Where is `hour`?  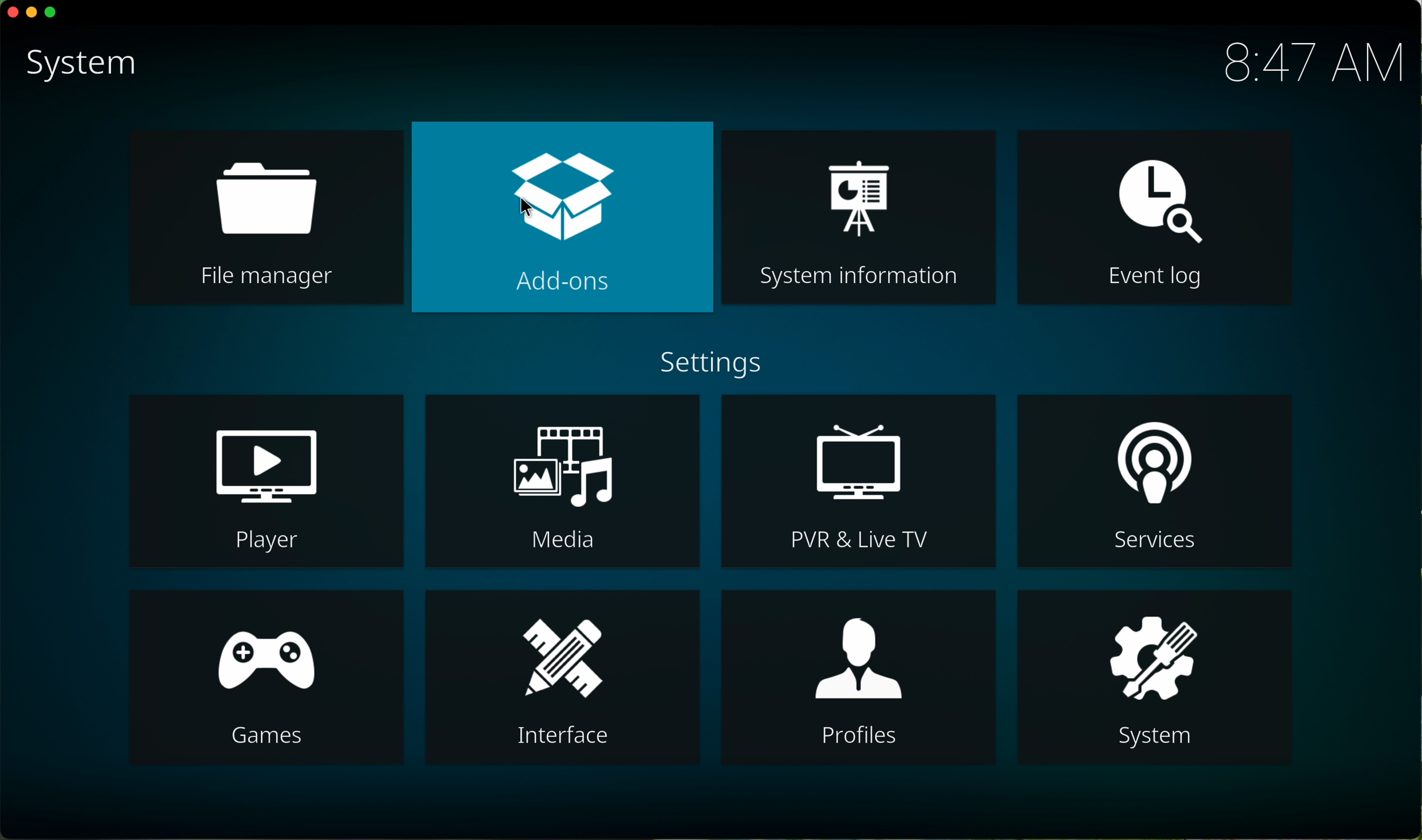
hour is located at coordinates (1311, 63).